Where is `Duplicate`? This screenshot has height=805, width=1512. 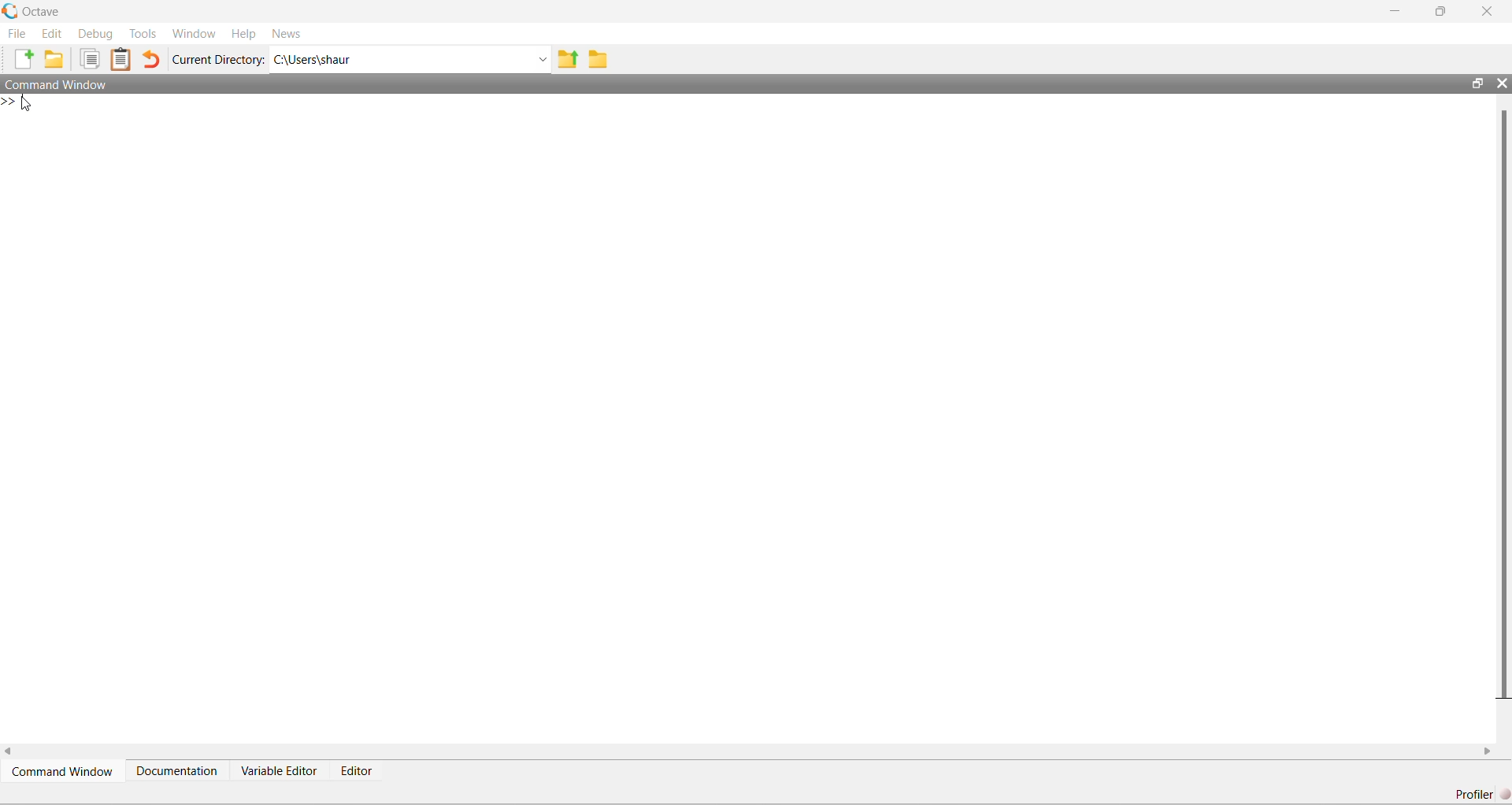 Duplicate is located at coordinates (91, 60).